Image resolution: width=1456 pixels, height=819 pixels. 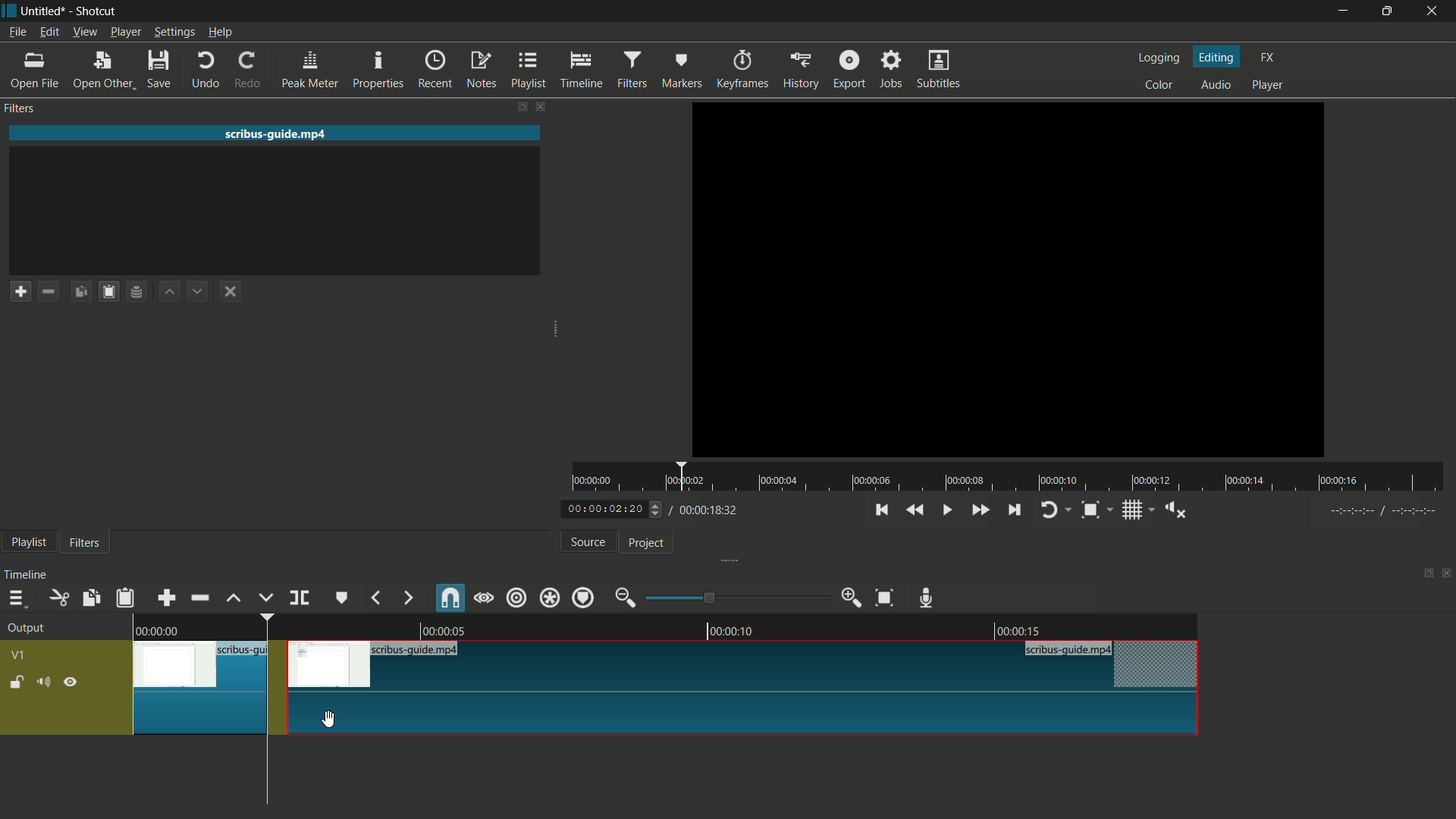 What do you see at coordinates (19, 655) in the screenshot?
I see `v1` at bounding box center [19, 655].